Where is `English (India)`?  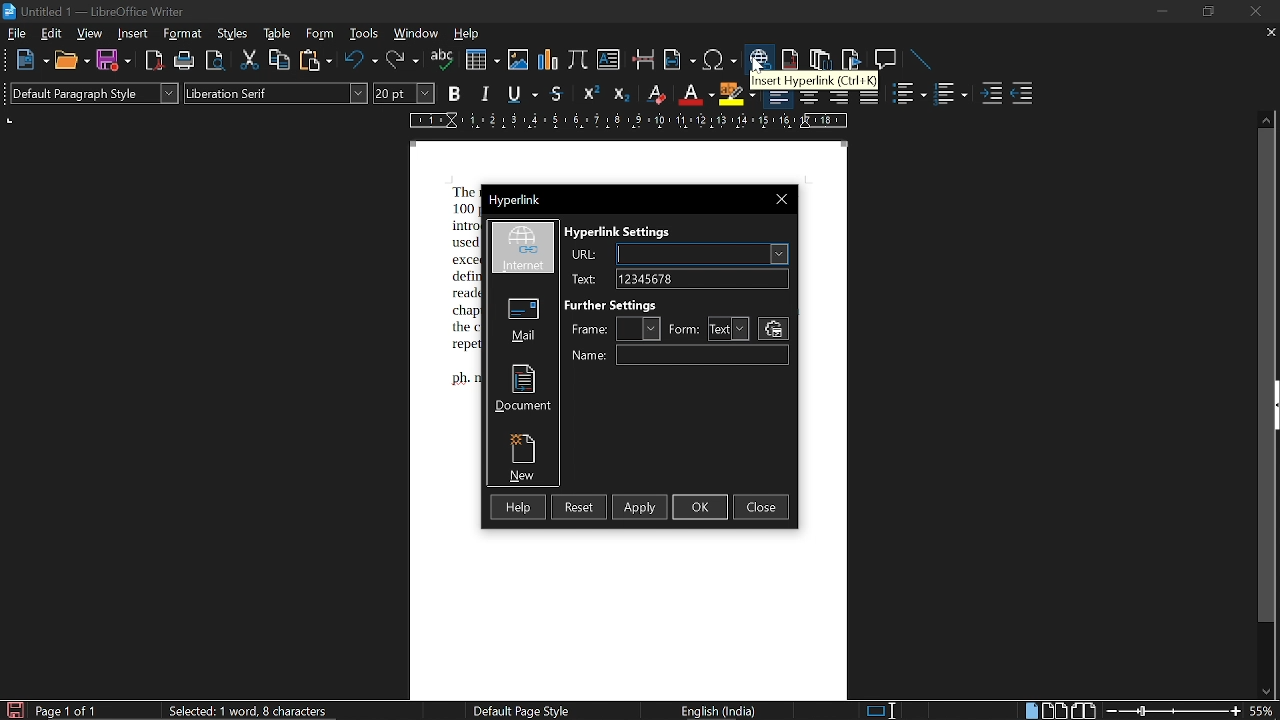 English (India) is located at coordinates (721, 712).